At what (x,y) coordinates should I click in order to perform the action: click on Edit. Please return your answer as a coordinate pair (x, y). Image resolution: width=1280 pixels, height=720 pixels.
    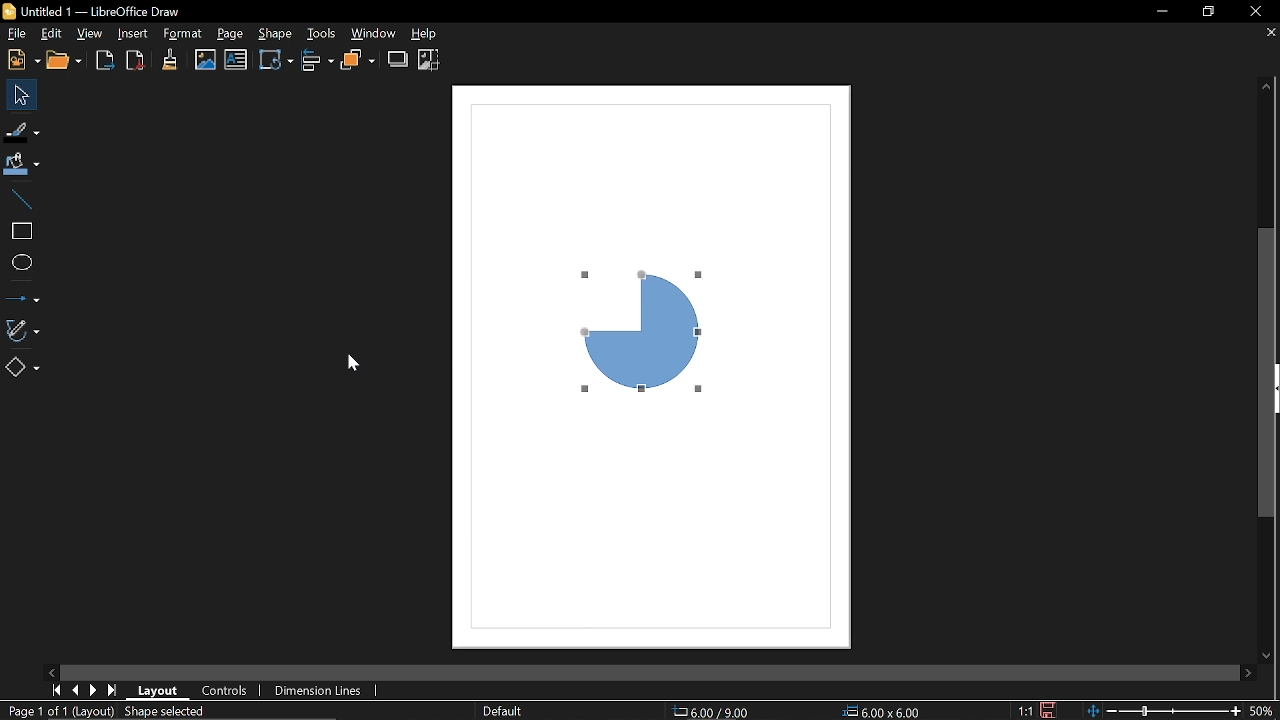
    Looking at the image, I should click on (51, 32).